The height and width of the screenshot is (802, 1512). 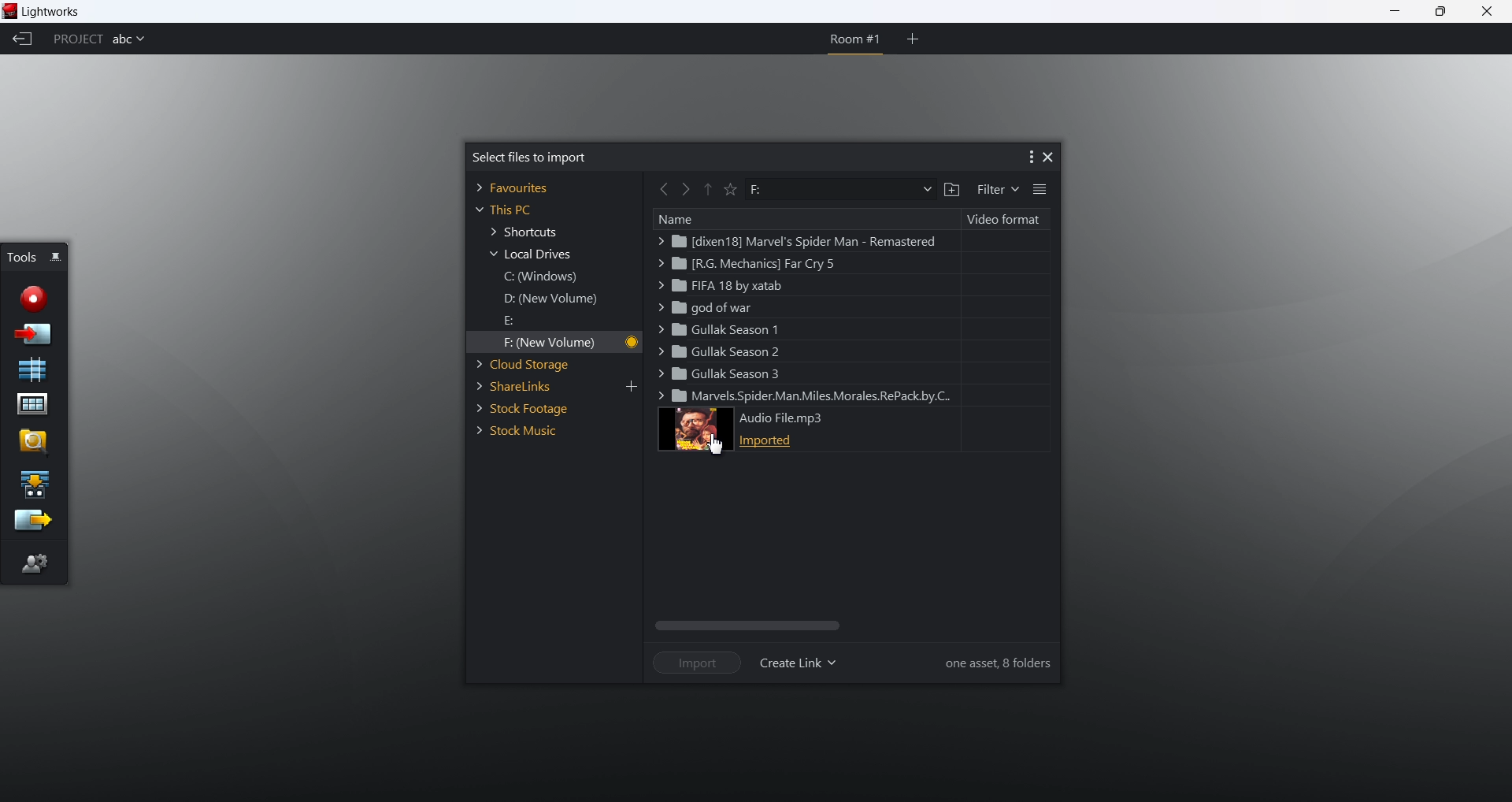 What do you see at coordinates (550, 300) in the screenshot?
I see `D new windows` at bounding box center [550, 300].